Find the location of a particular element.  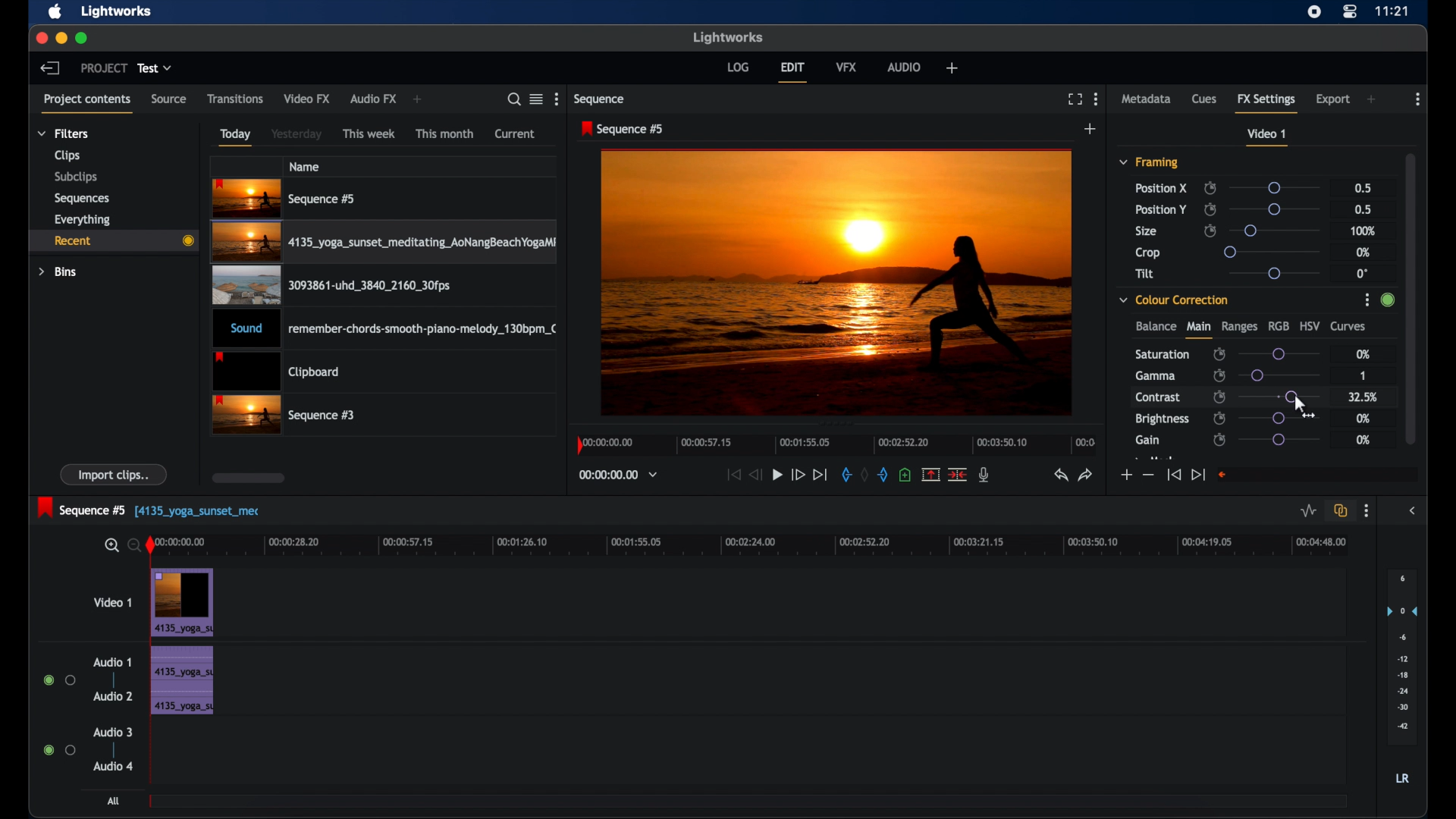

0.5 is located at coordinates (1365, 209).